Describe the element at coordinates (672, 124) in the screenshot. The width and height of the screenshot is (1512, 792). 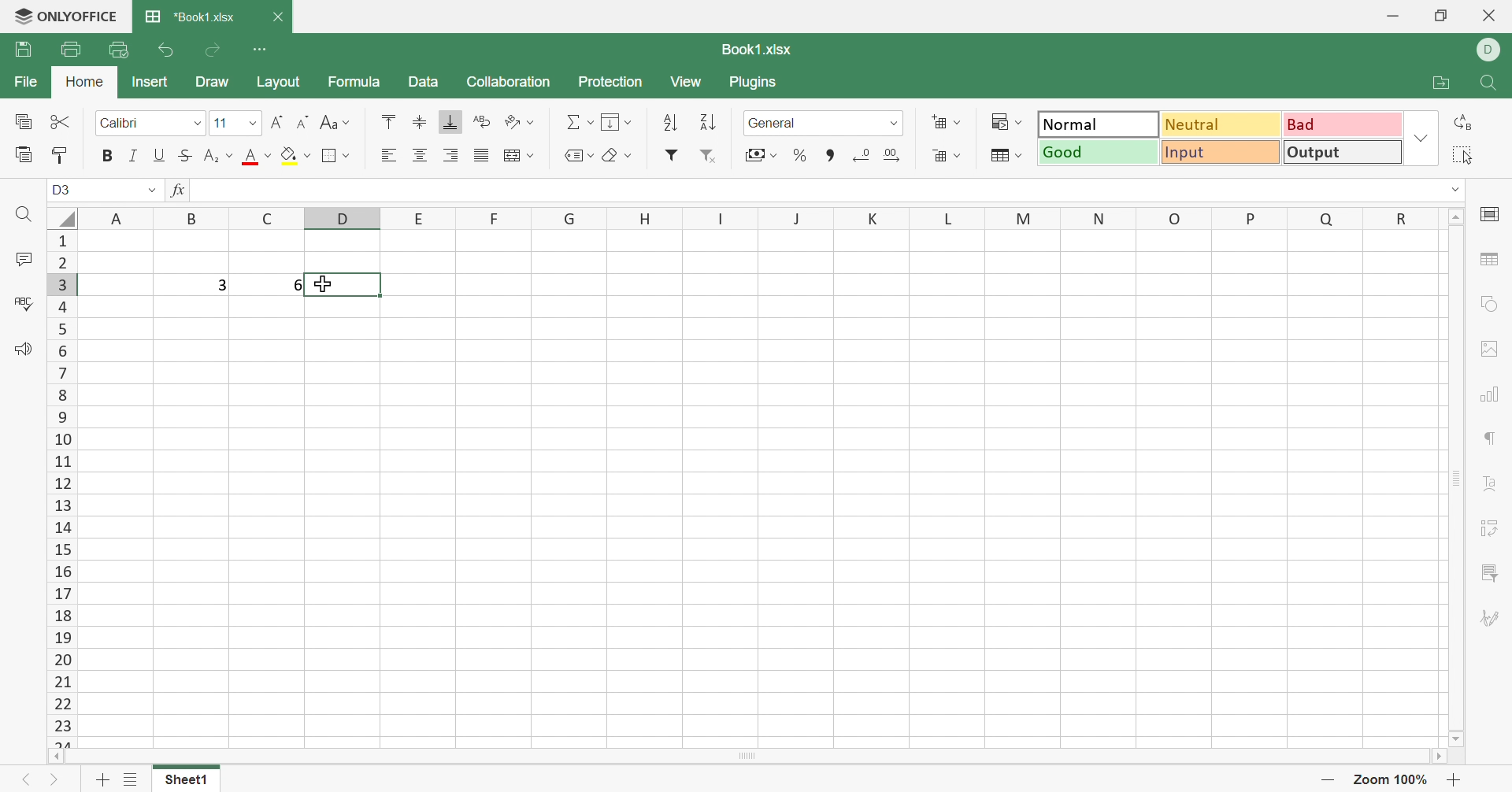
I see `Sort ascending` at that location.